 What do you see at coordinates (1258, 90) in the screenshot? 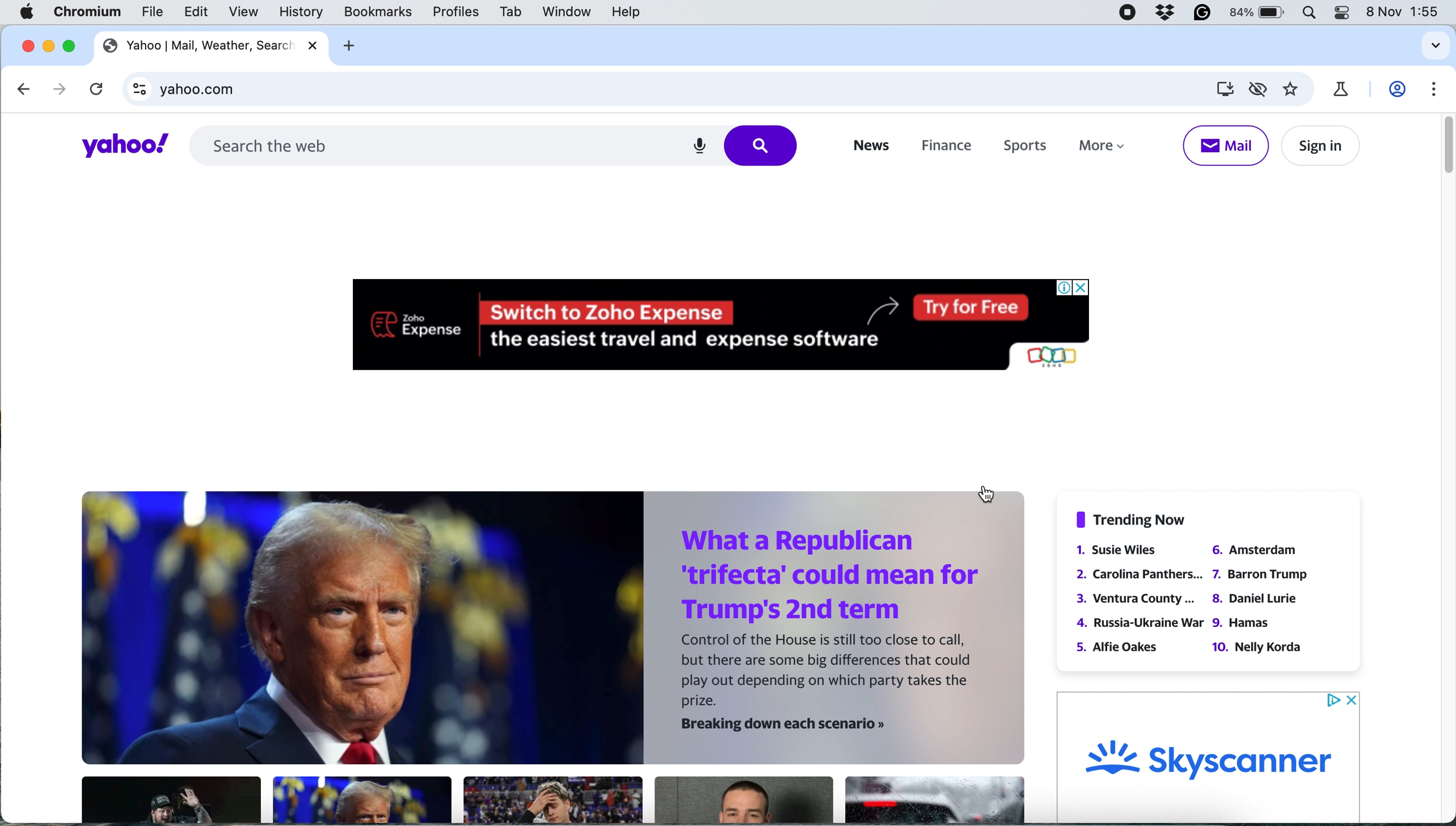
I see `third party cookies limited` at bounding box center [1258, 90].